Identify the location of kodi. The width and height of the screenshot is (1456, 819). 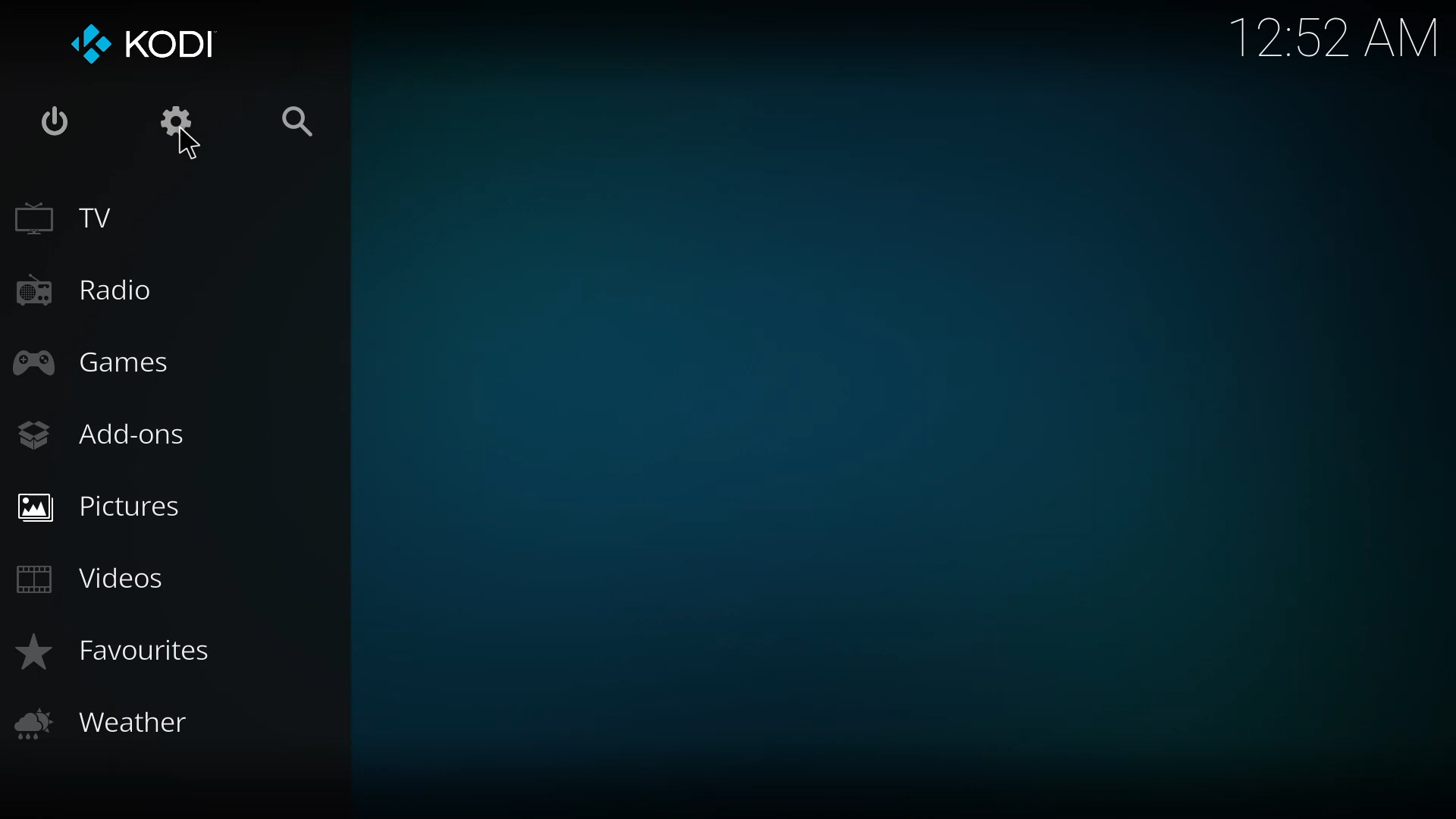
(178, 42).